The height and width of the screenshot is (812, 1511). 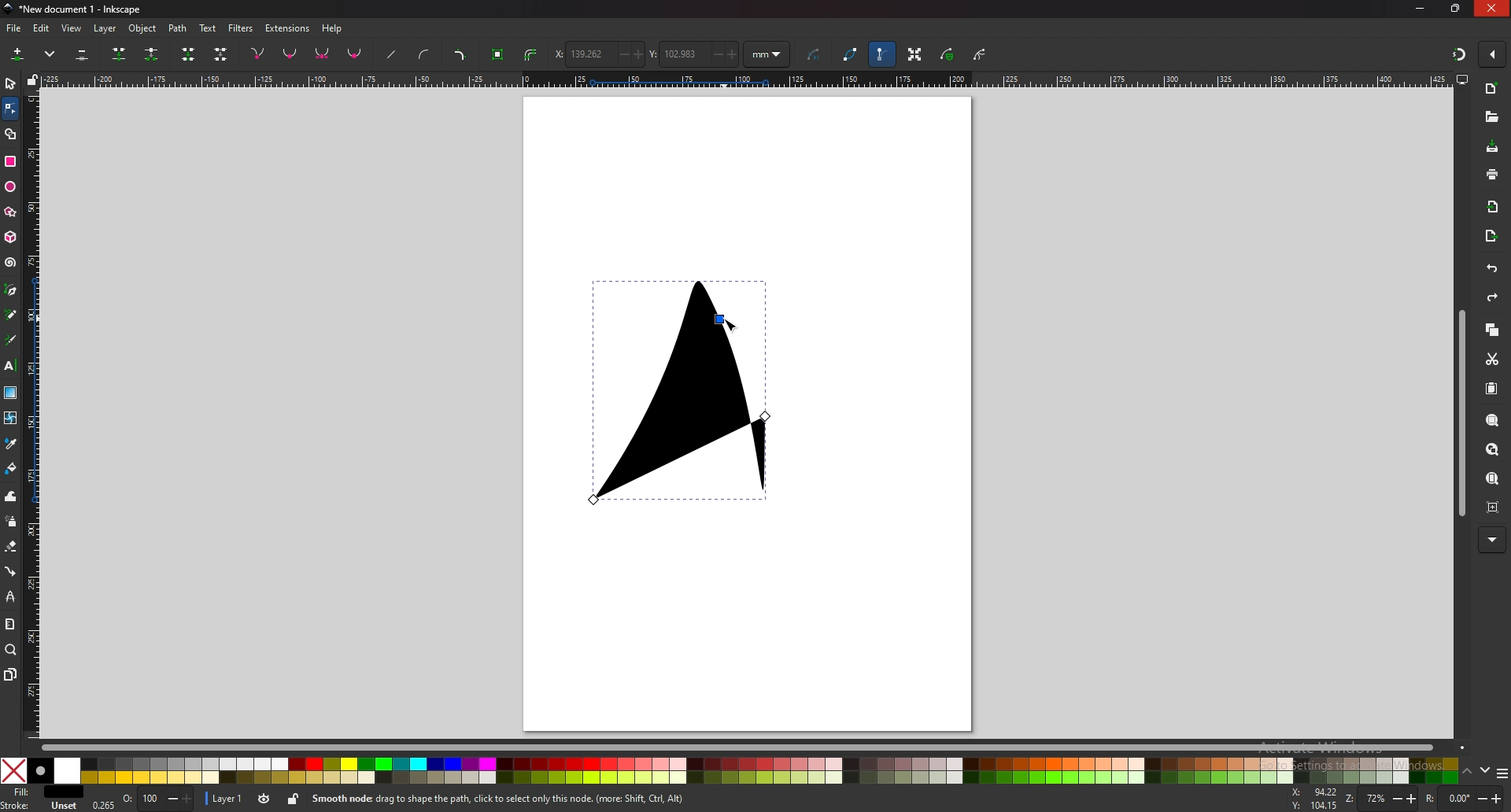 I want to click on mesh, so click(x=11, y=417).